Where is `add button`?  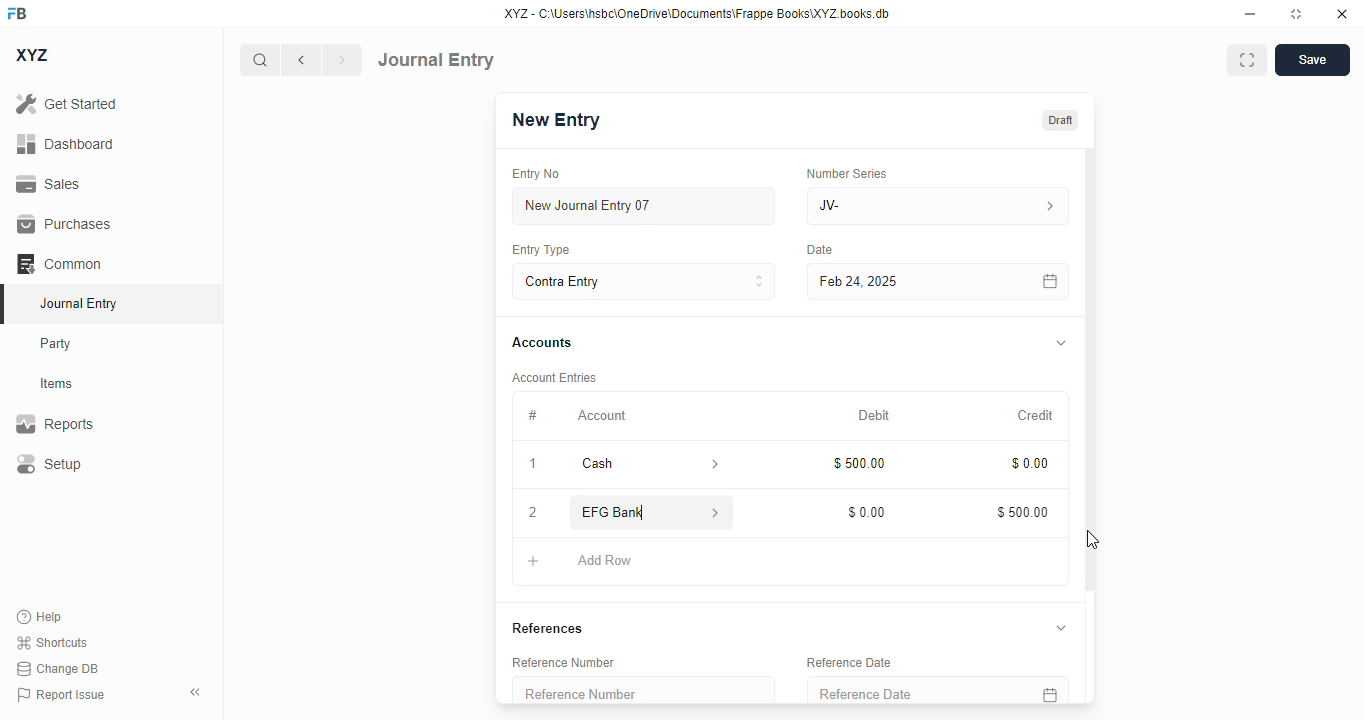 add button is located at coordinates (532, 561).